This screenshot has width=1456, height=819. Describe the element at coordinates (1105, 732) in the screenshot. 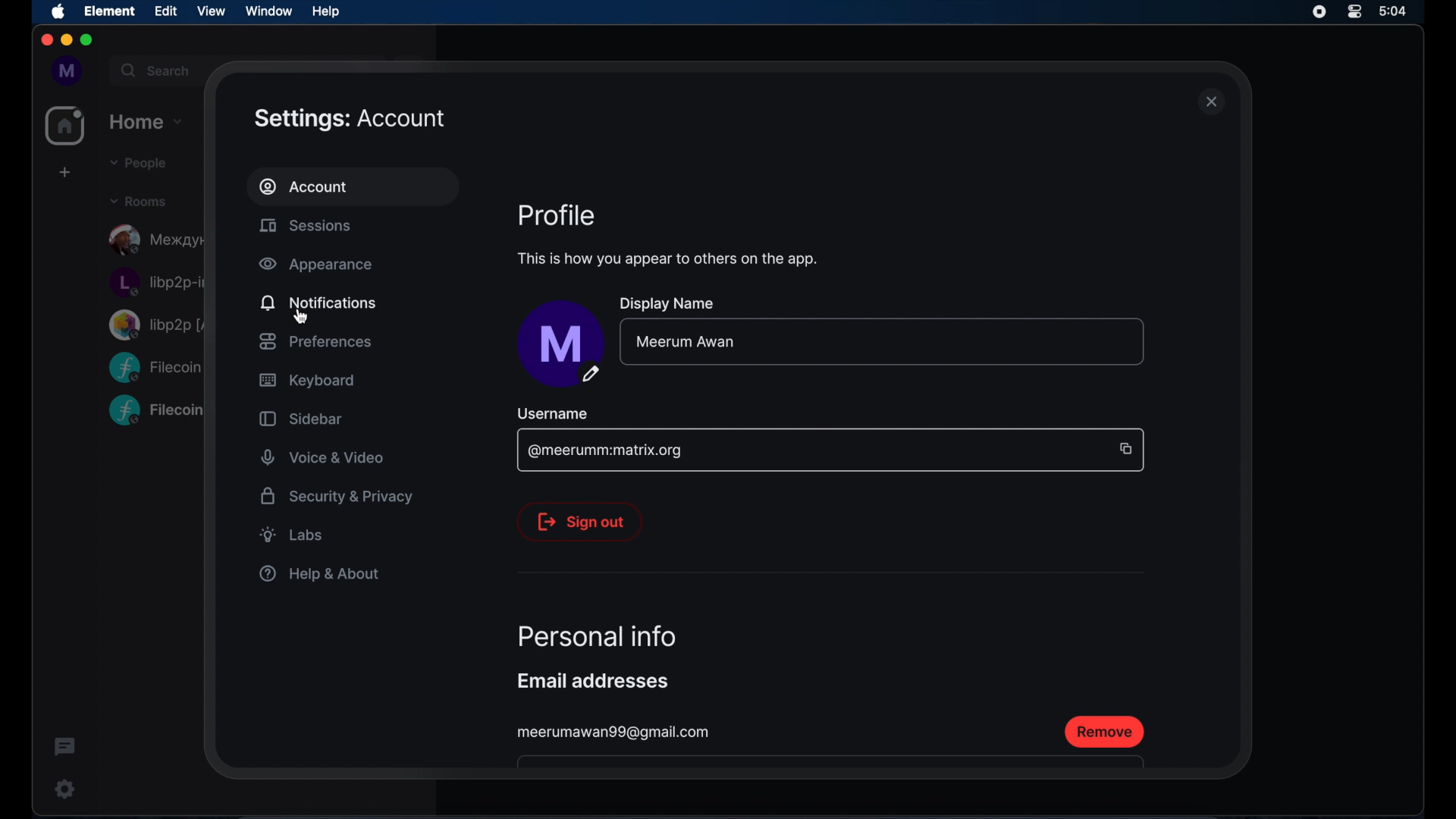

I see `remove` at that location.